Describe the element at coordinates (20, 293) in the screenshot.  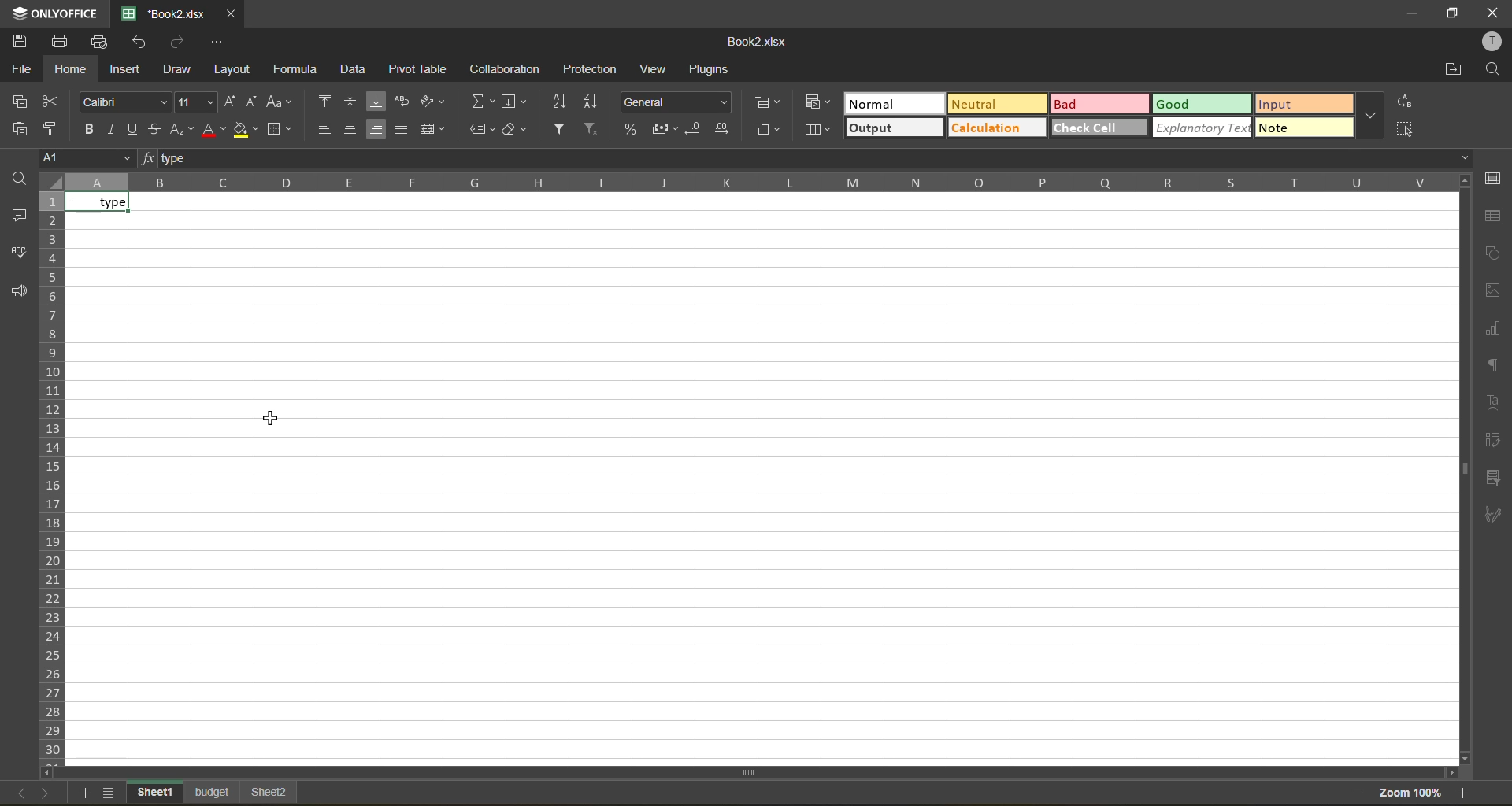
I see `feedback` at that location.